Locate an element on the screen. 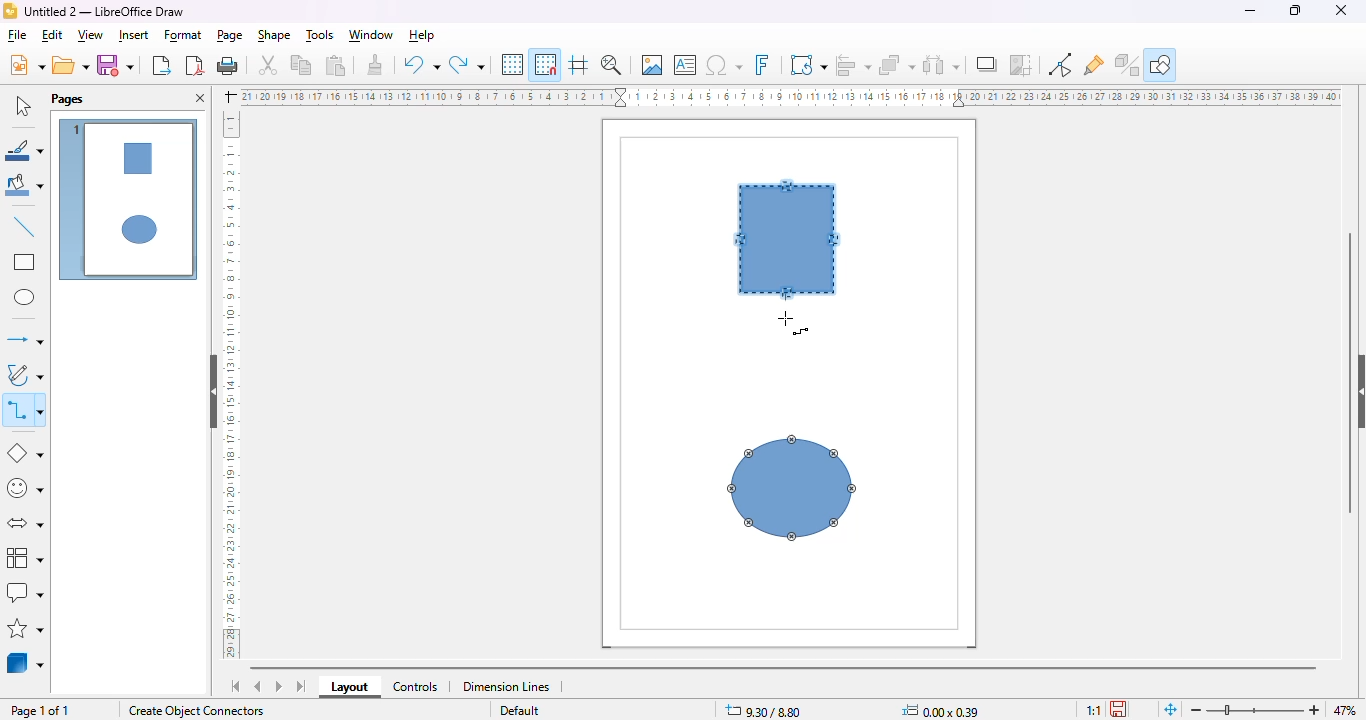 The width and height of the screenshot is (1366, 720). select at least three objects to distribute is located at coordinates (942, 65).